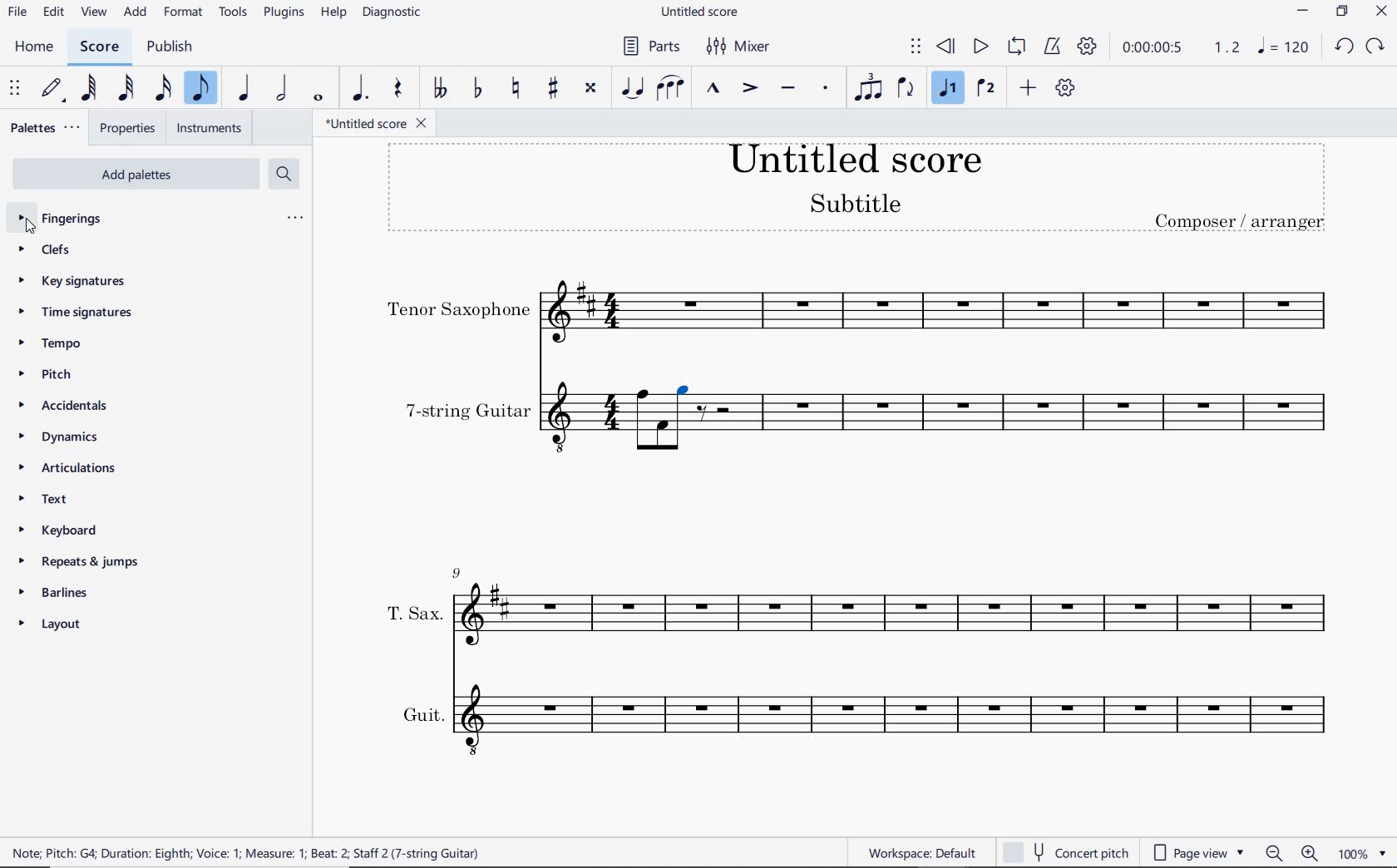 The width and height of the screenshot is (1397, 868). Describe the element at coordinates (515, 88) in the screenshot. I see `TOGGLE NATURAL` at that location.